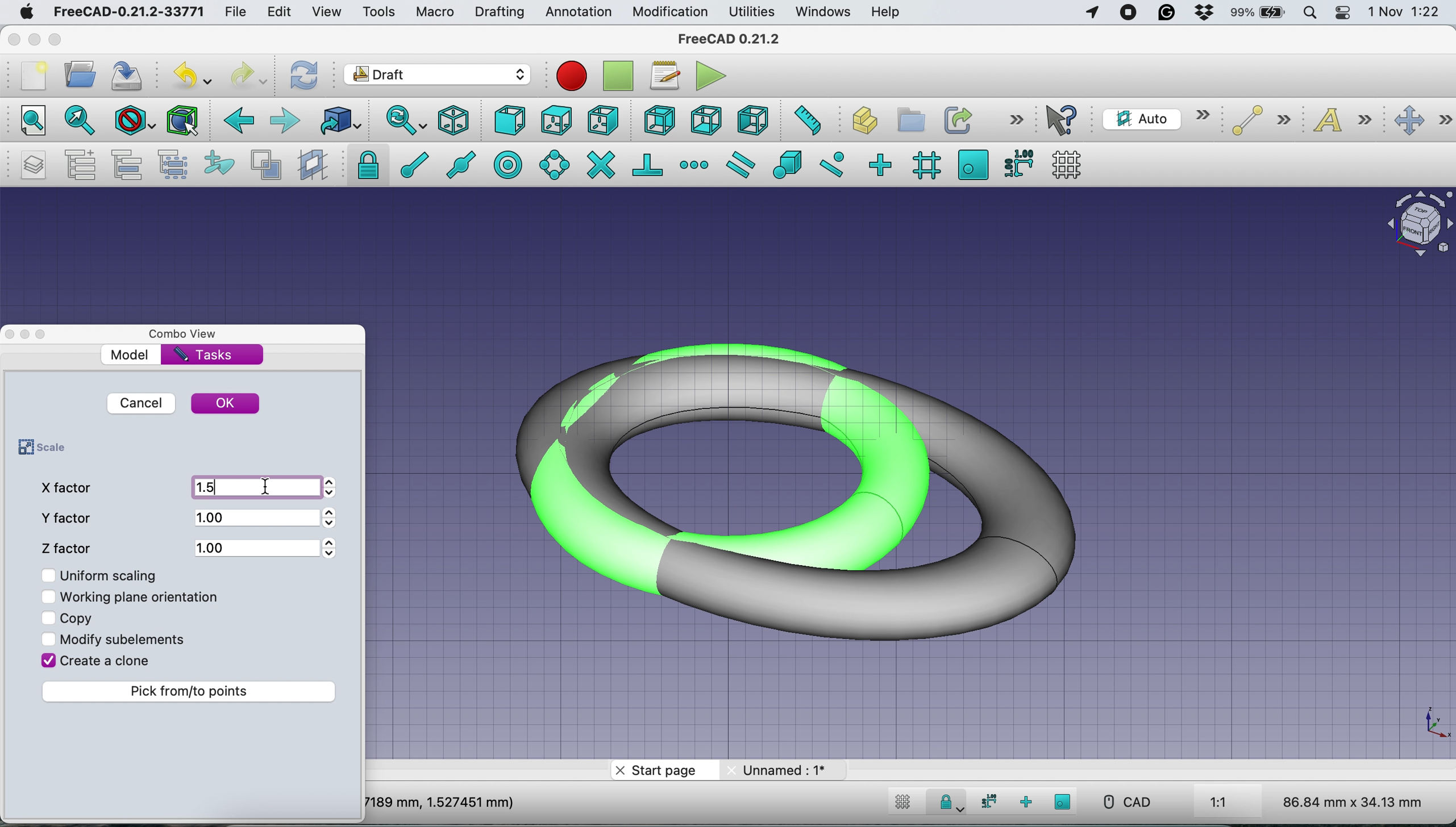 Image resolution: width=1456 pixels, height=827 pixels. What do you see at coordinates (808, 491) in the screenshot?
I see `Scaled Torus` at bounding box center [808, 491].